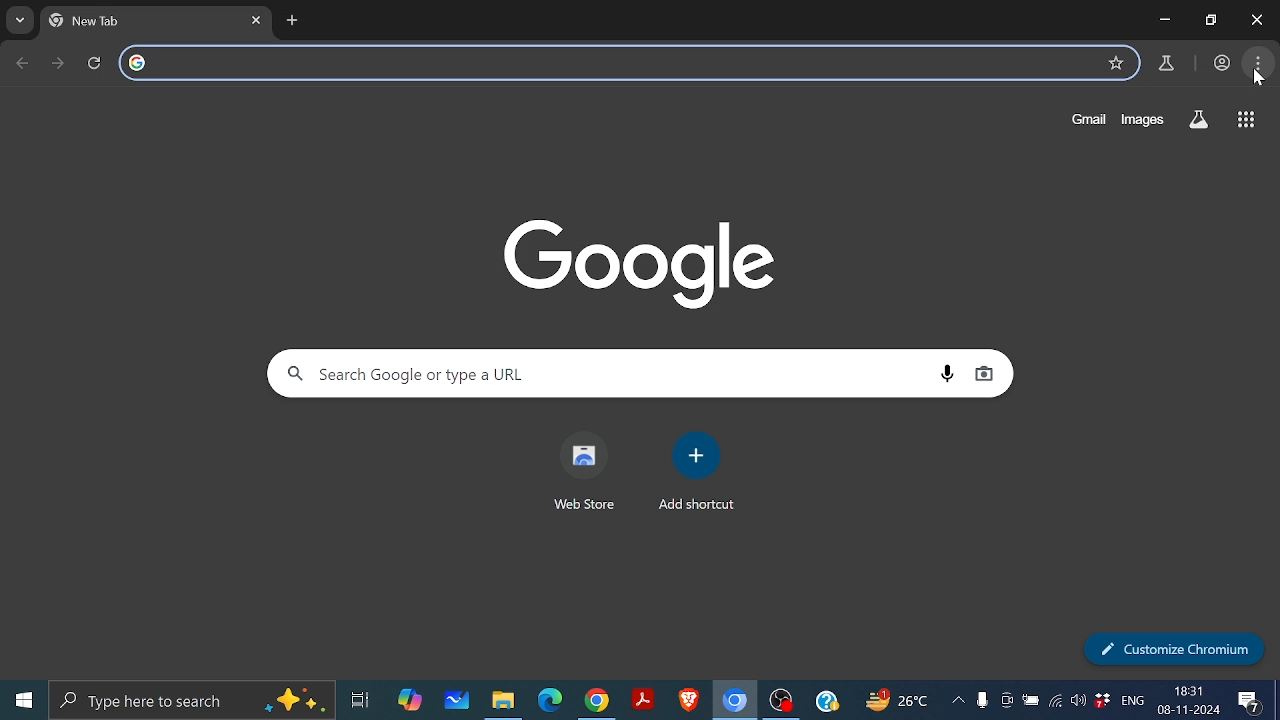  I want to click on sound, so click(1078, 704).